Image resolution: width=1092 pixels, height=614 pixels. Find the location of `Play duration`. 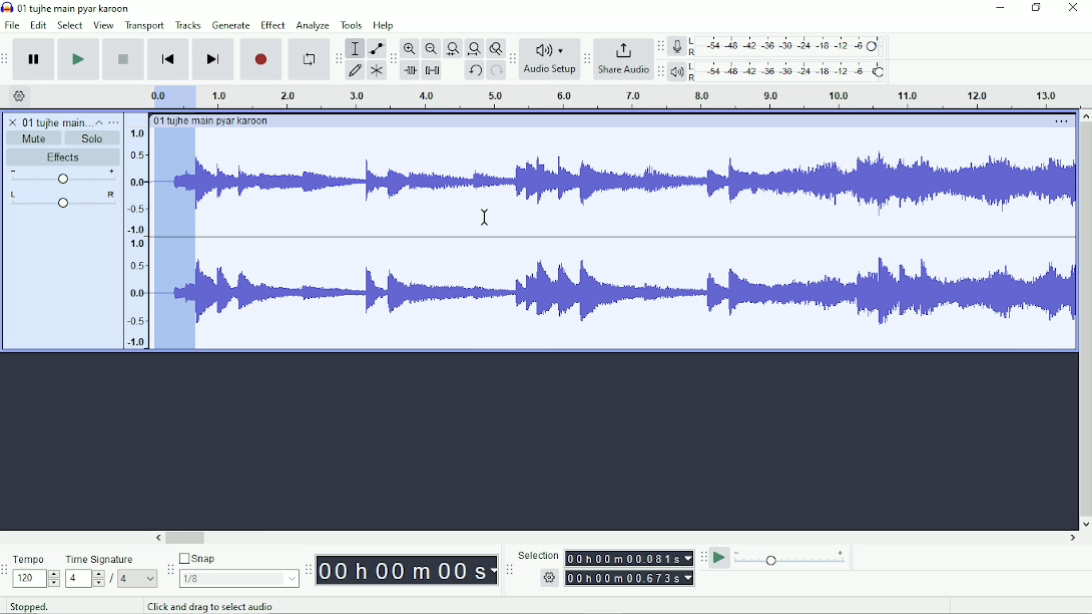

Play duration is located at coordinates (635, 97).